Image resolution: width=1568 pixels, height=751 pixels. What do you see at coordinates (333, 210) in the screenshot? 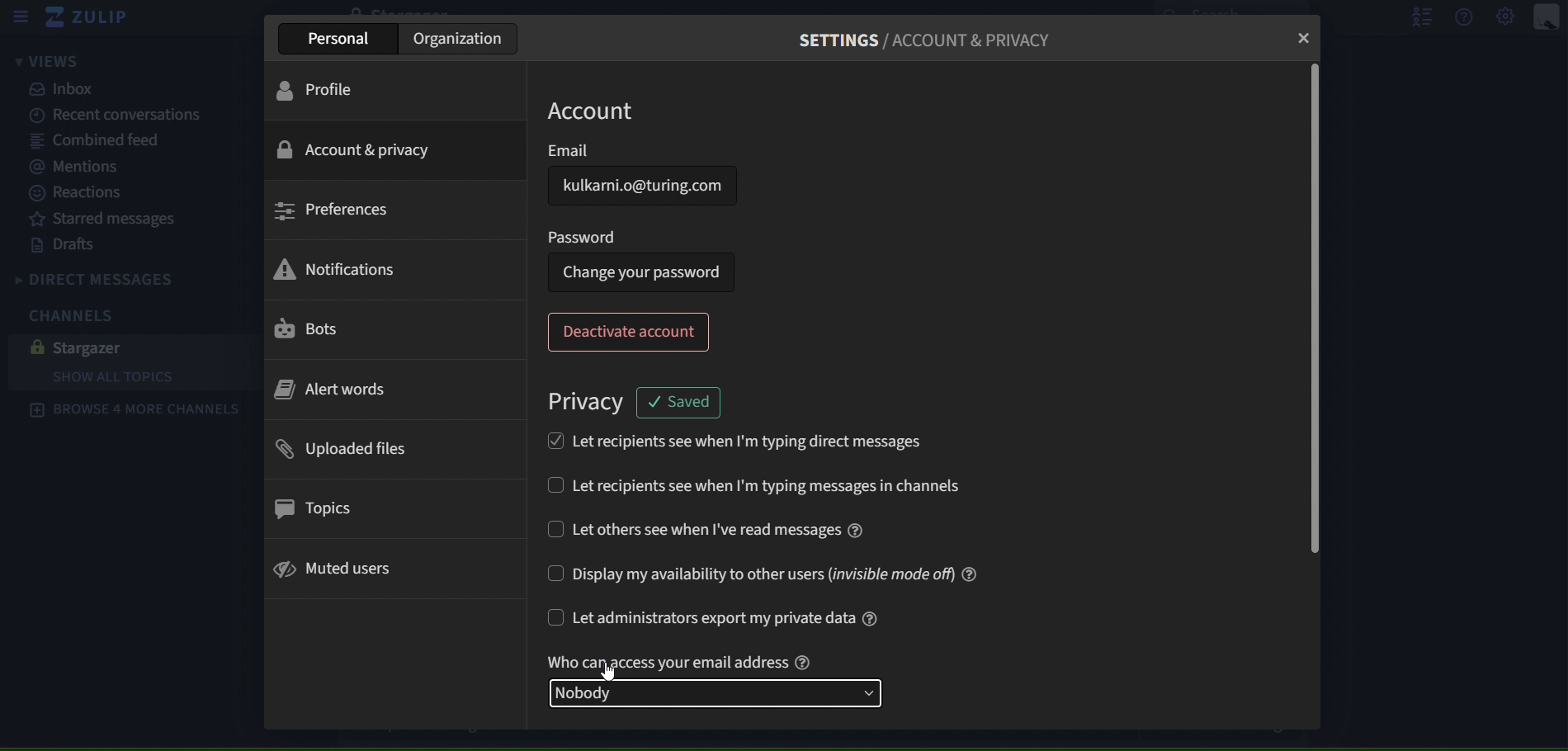
I see `preferences` at bounding box center [333, 210].